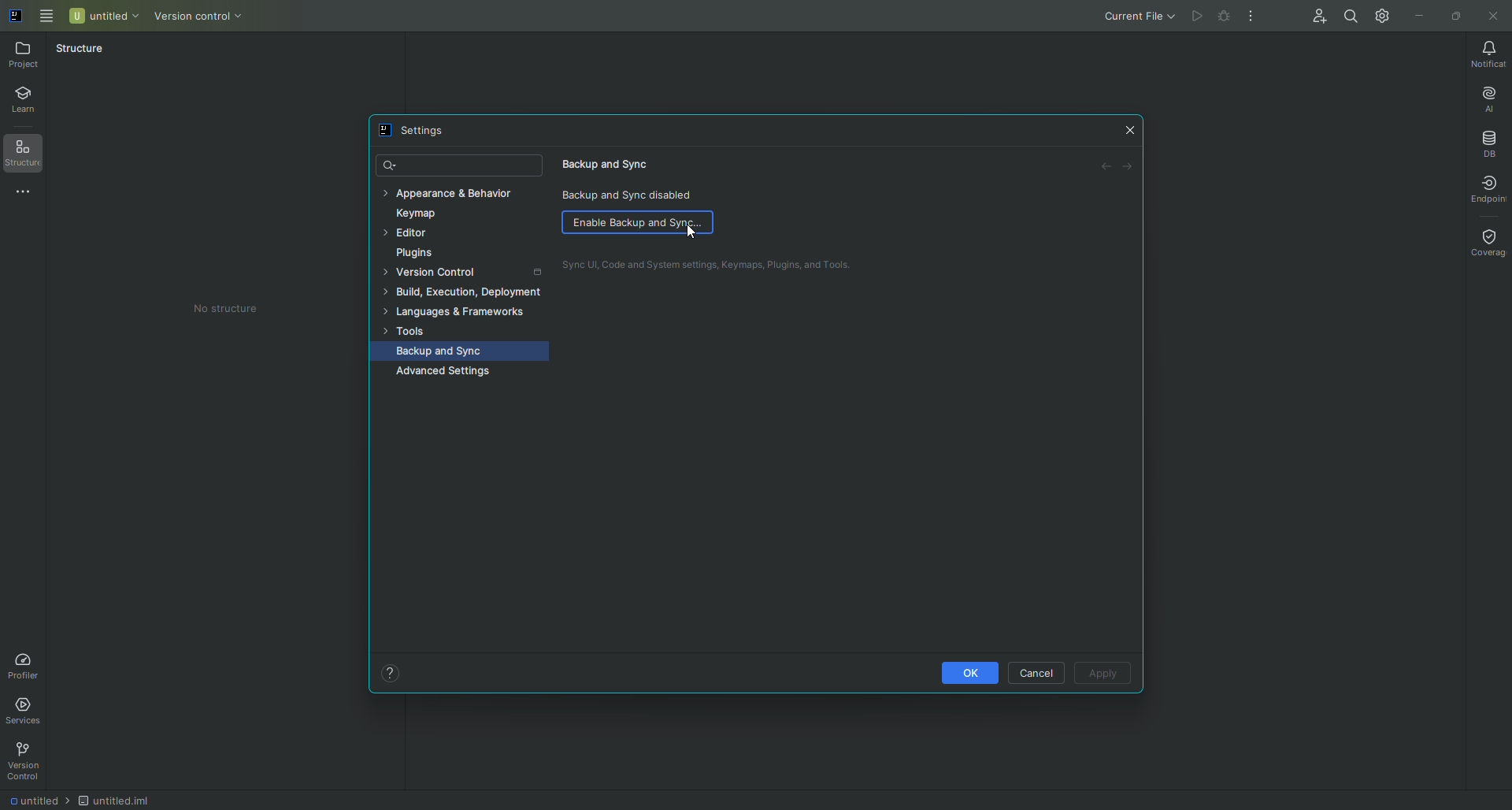 The width and height of the screenshot is (1512, 810). What do you see at coordinates (969, 672) in the screenshot?
I see `OK` at bounding box center [969, 672].